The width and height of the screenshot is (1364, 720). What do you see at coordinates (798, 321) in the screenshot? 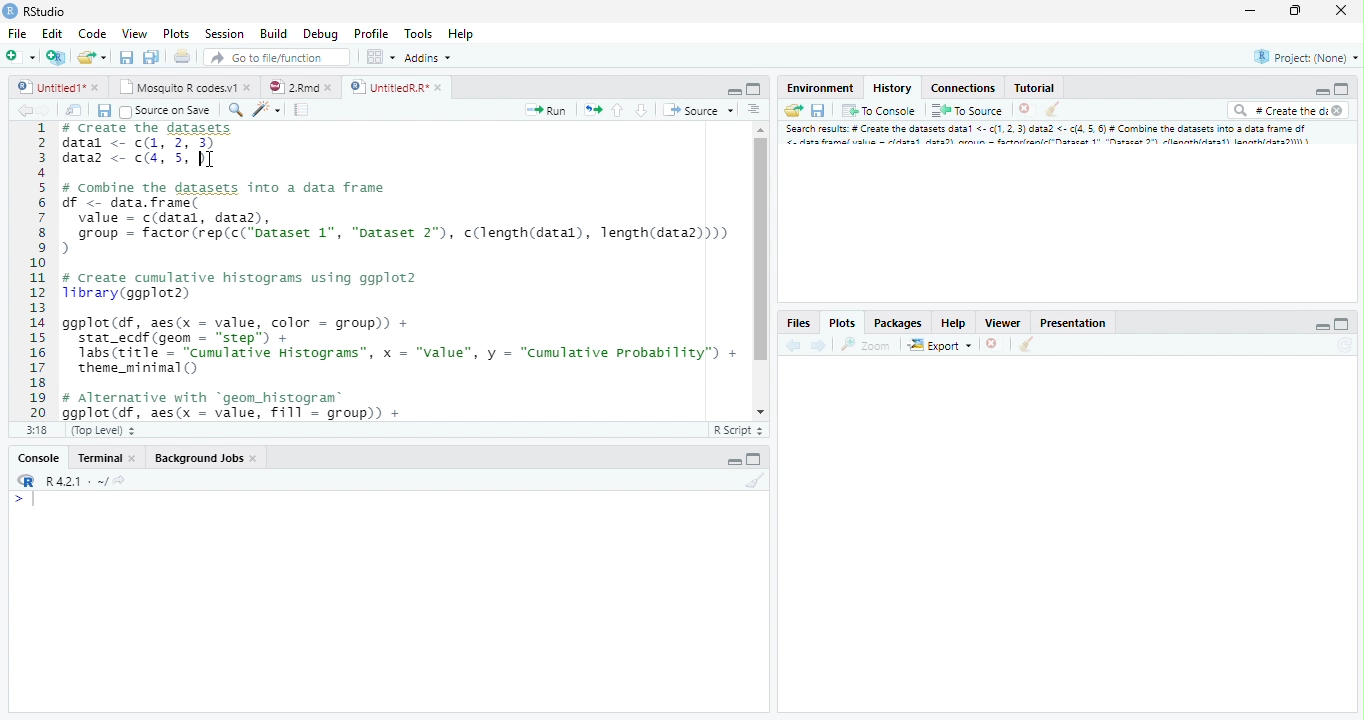
I see `Files` at bounding box center [798, 321].